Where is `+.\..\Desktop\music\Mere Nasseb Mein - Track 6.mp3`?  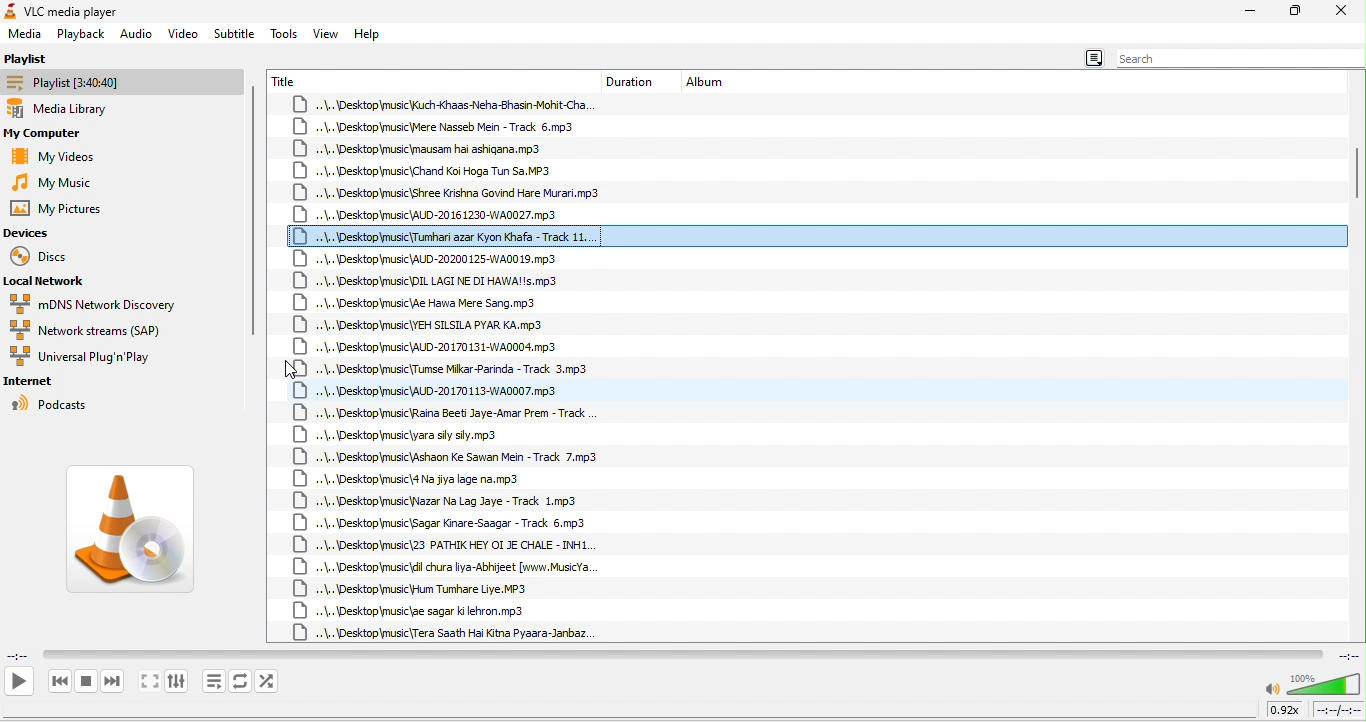
+.\..\Desktop\music\Mere Nasseb Mein - Track 6.mp3 is located at coordinates (443, 126).